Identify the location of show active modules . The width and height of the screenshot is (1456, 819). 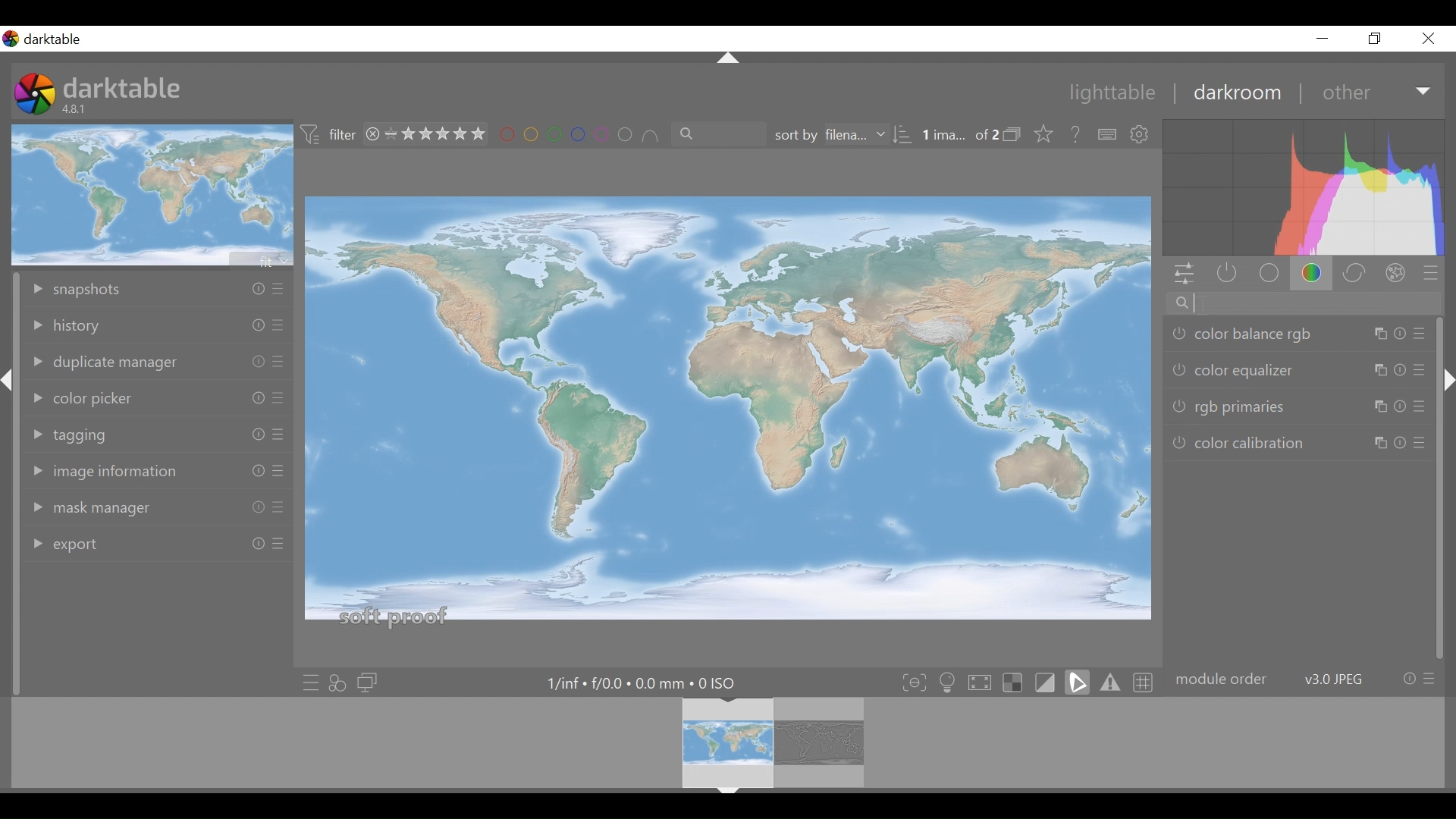
(1225, 275).